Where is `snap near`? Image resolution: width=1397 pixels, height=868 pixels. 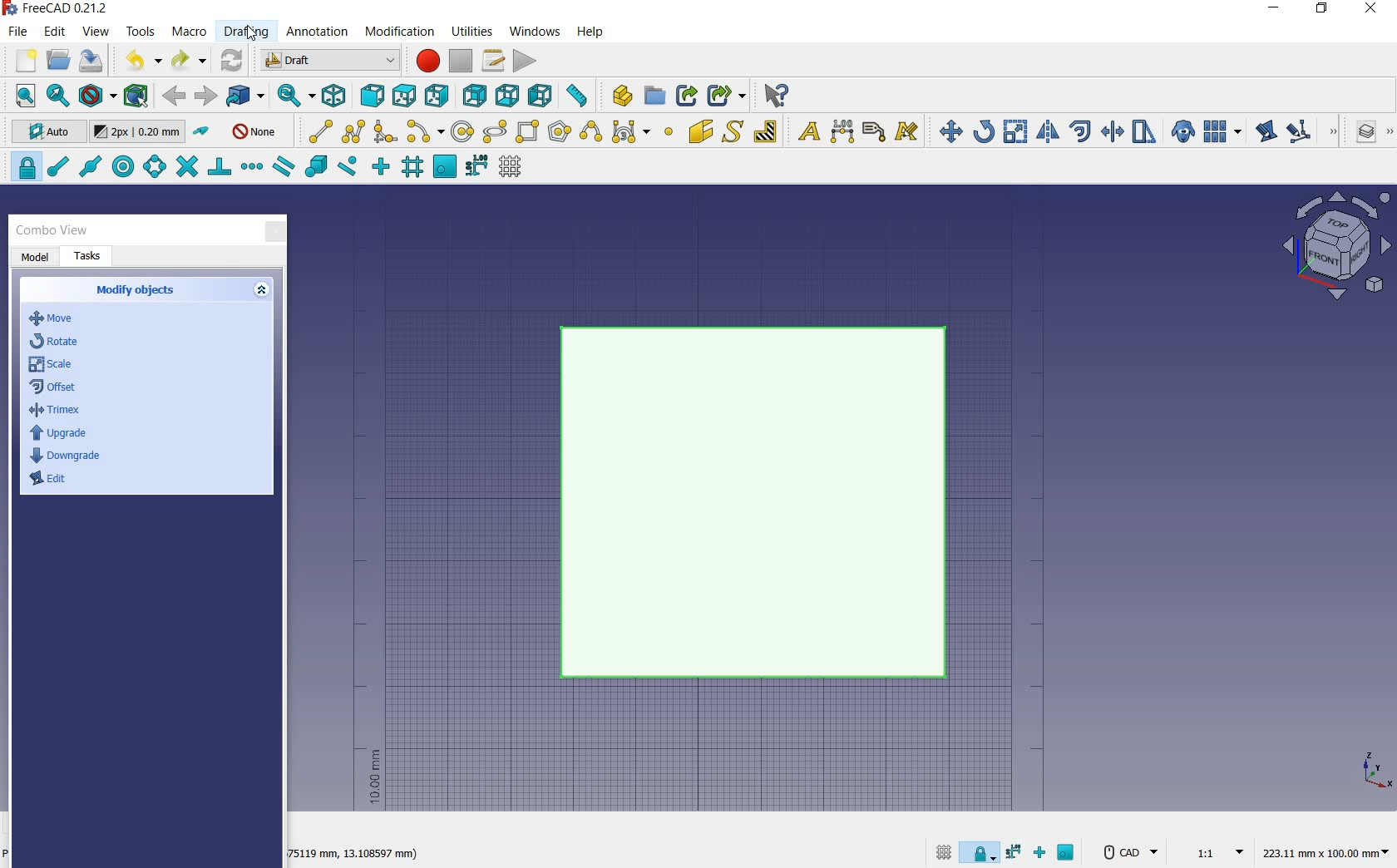
snap near is located at coordinates (345, 168).